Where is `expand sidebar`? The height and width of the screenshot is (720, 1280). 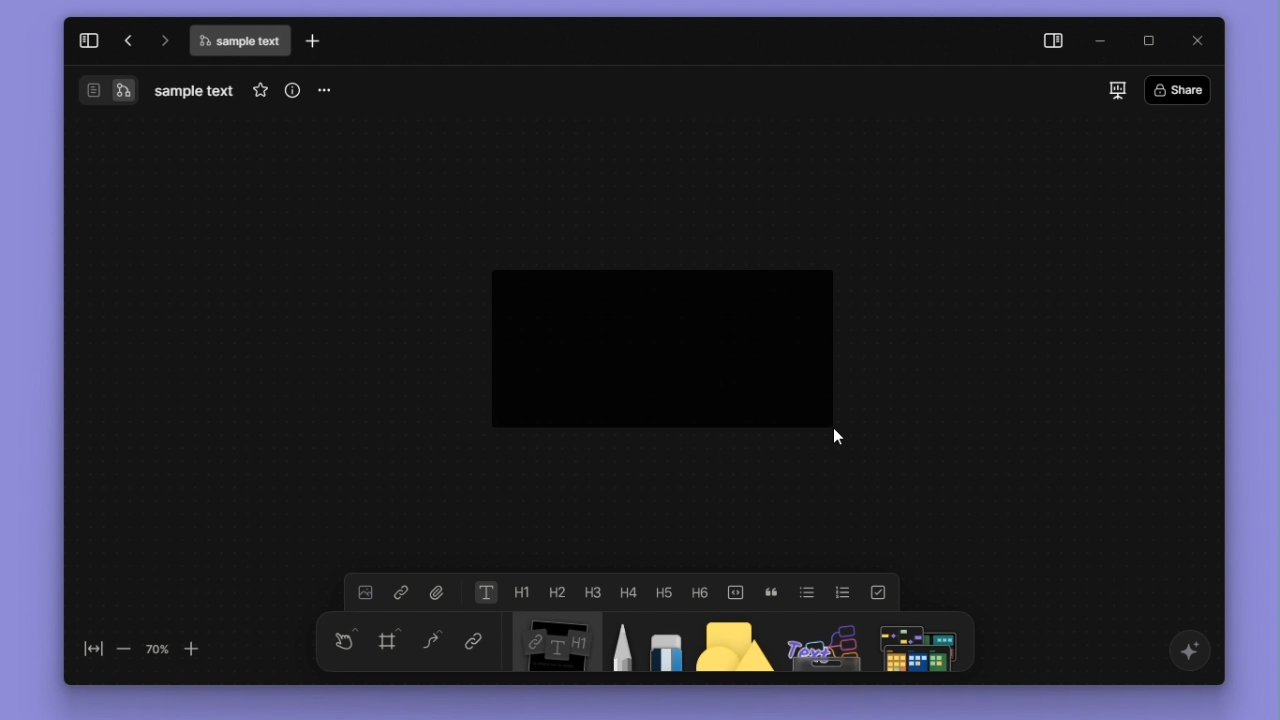
expand sidebar is located at coordinates (87, 38).